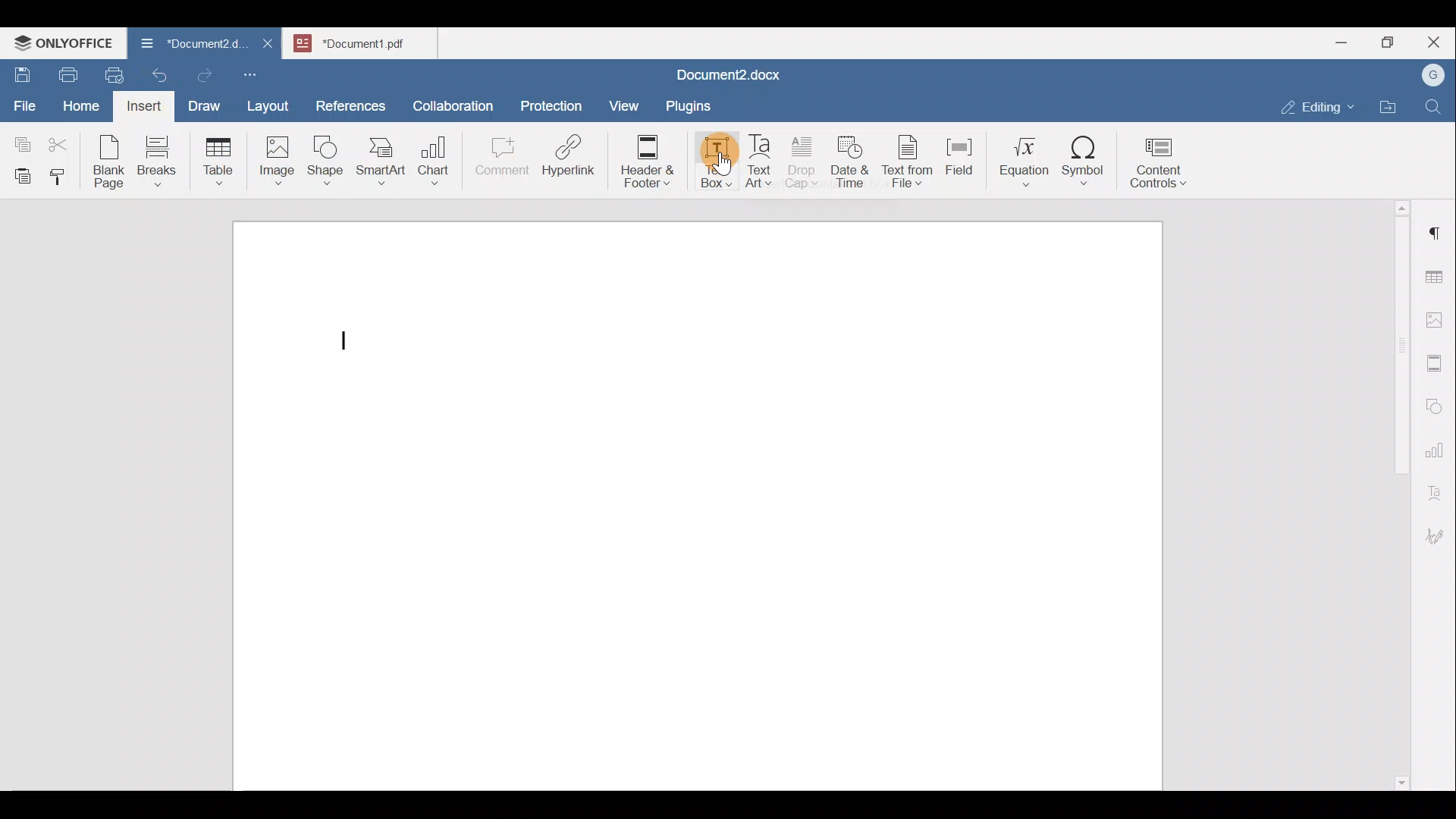  I want to click on Minimize, so click(1341, 41).